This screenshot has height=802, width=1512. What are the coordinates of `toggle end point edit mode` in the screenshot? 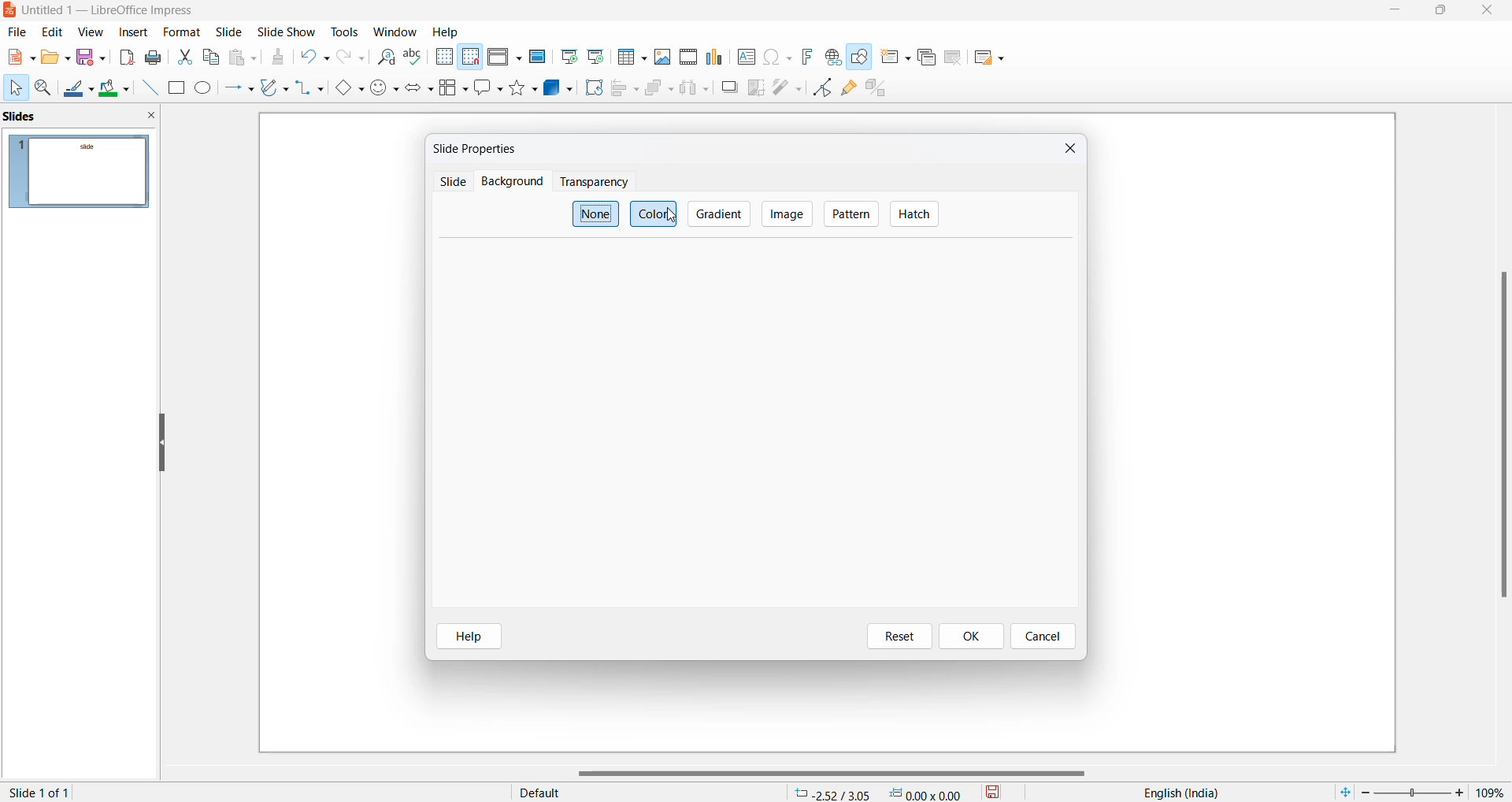 It's located at (823, 87).